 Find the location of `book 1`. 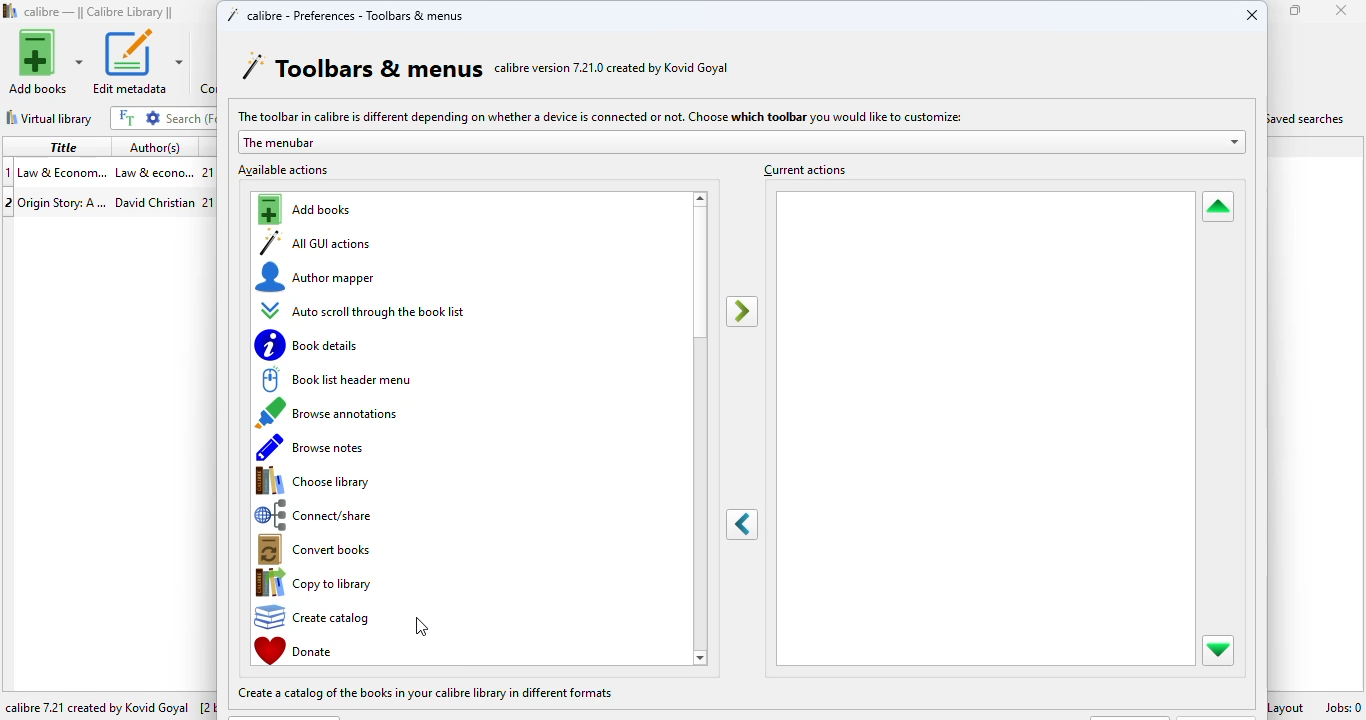

book 1 is located at coordinates (107, 171).